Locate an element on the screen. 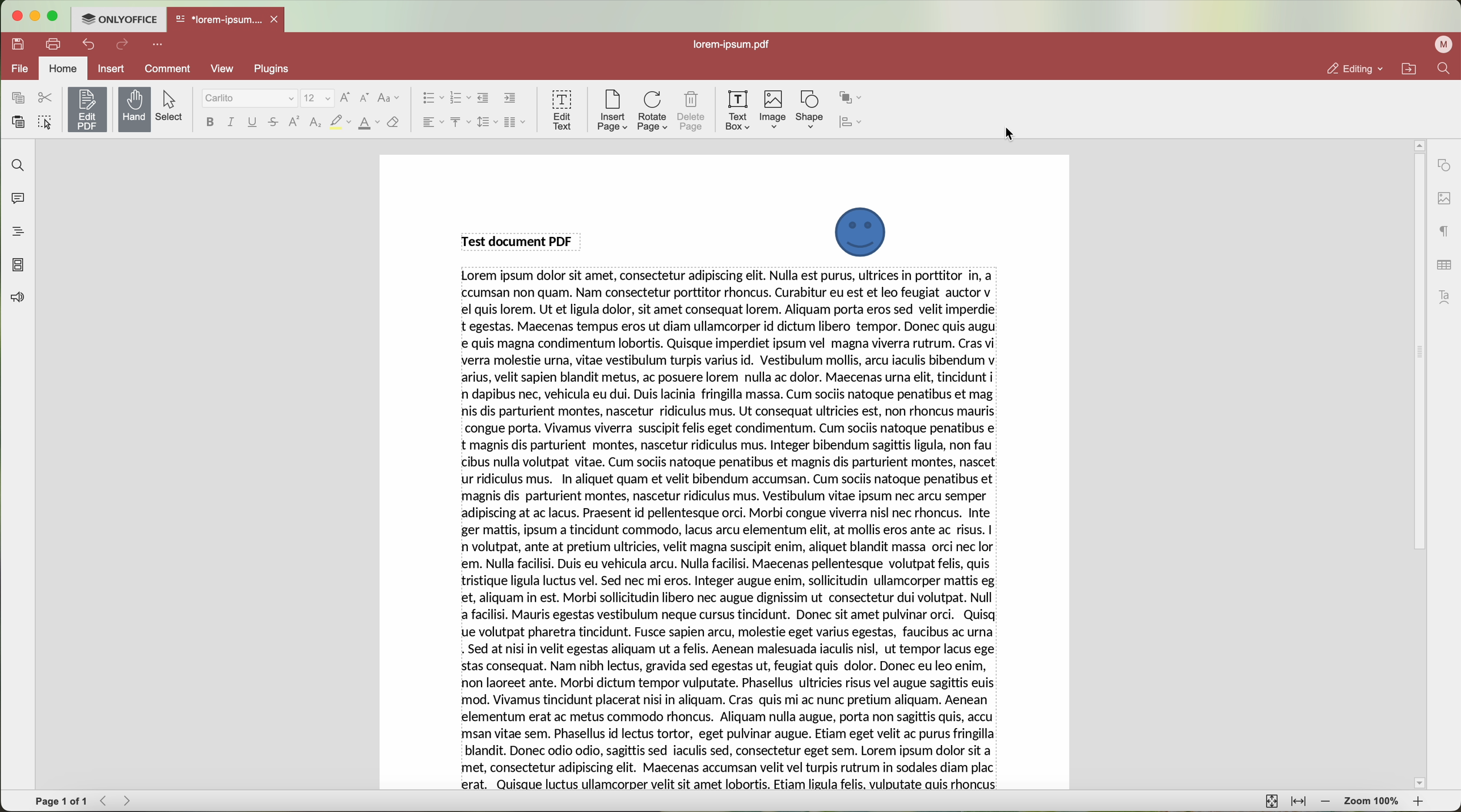 This screenshot has height=812, width=1461. image is located at coordinates (773, 110).